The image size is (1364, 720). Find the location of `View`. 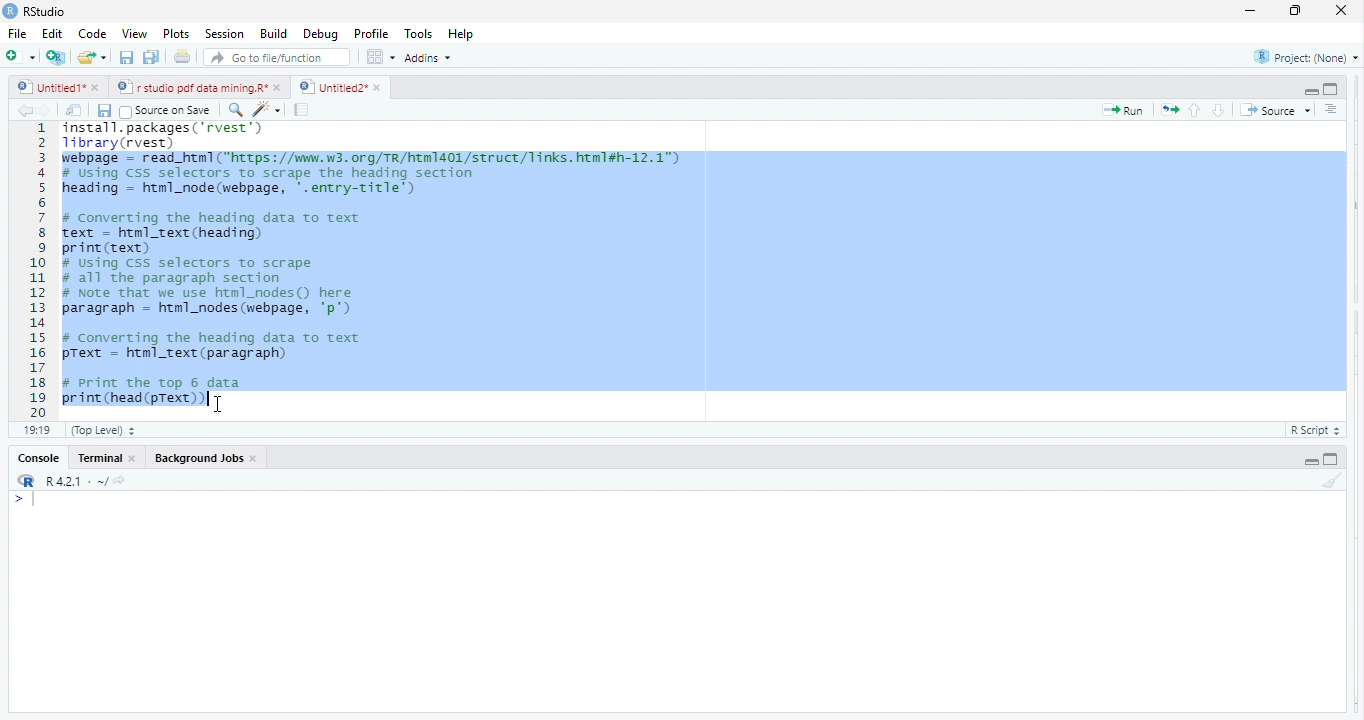

View is located at coordinates (133, 35).